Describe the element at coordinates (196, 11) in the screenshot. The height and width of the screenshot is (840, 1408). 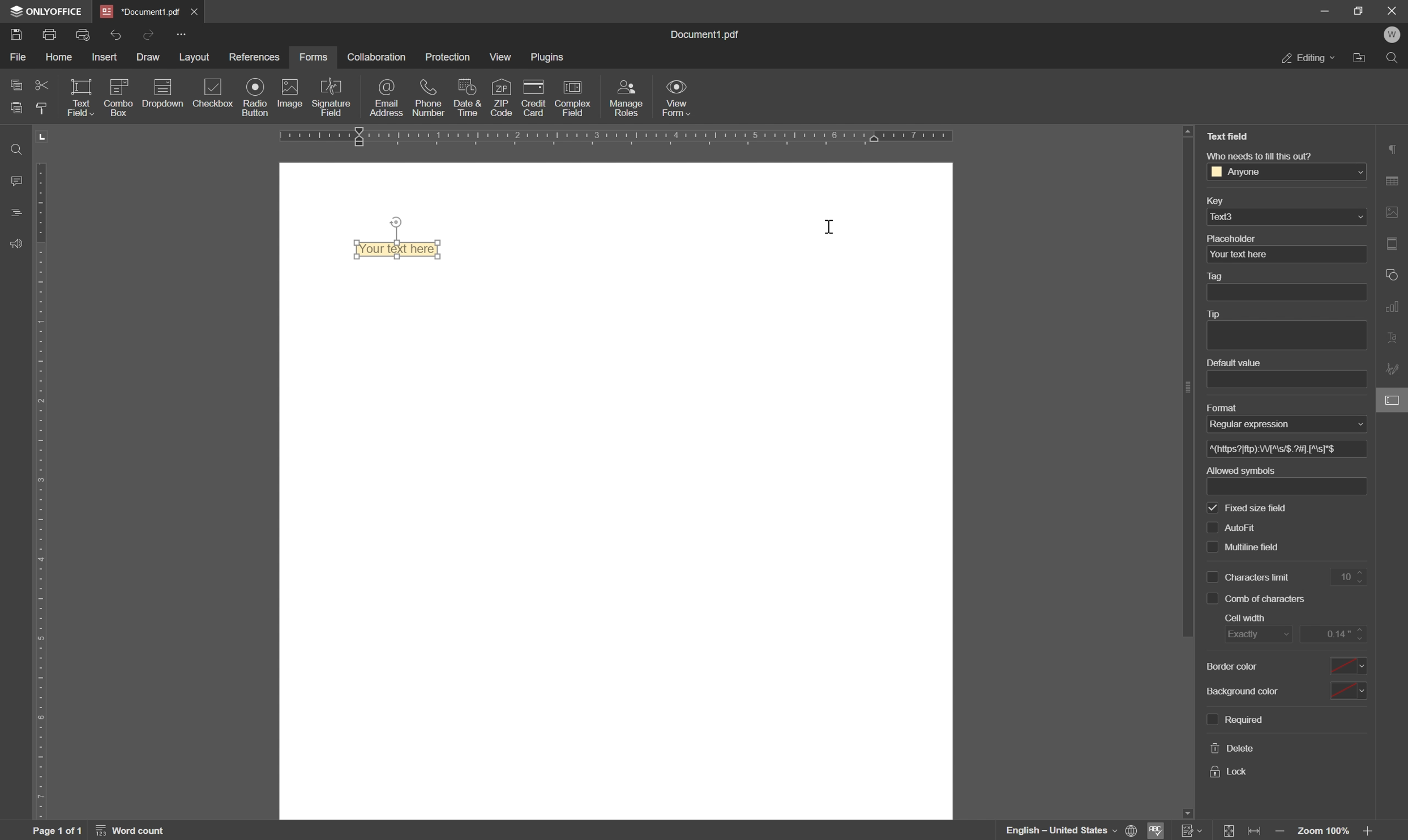
I see `*Document1.pdf` at that location.